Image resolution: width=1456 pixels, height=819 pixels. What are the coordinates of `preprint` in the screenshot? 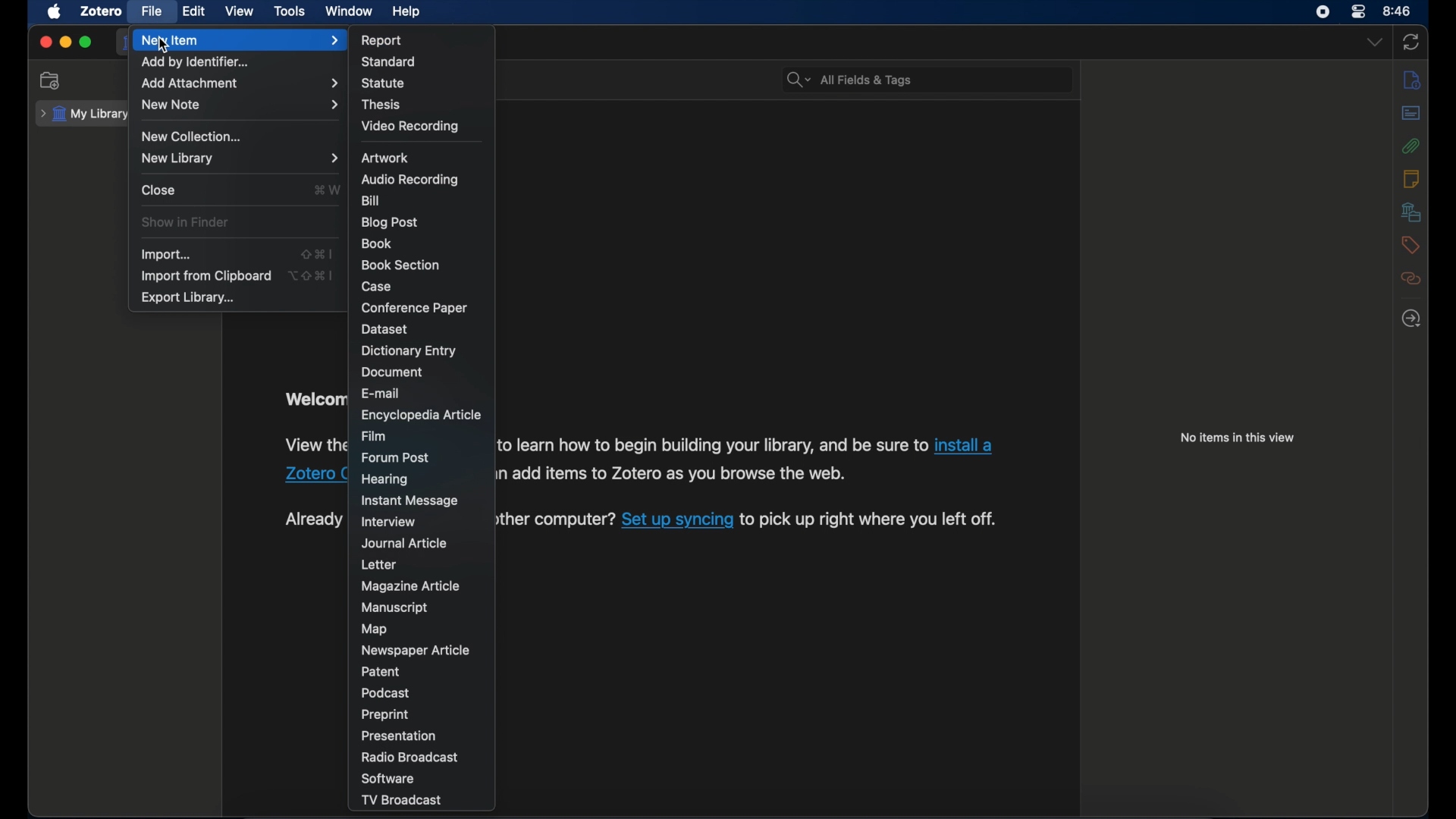 It's located at (384, 714).